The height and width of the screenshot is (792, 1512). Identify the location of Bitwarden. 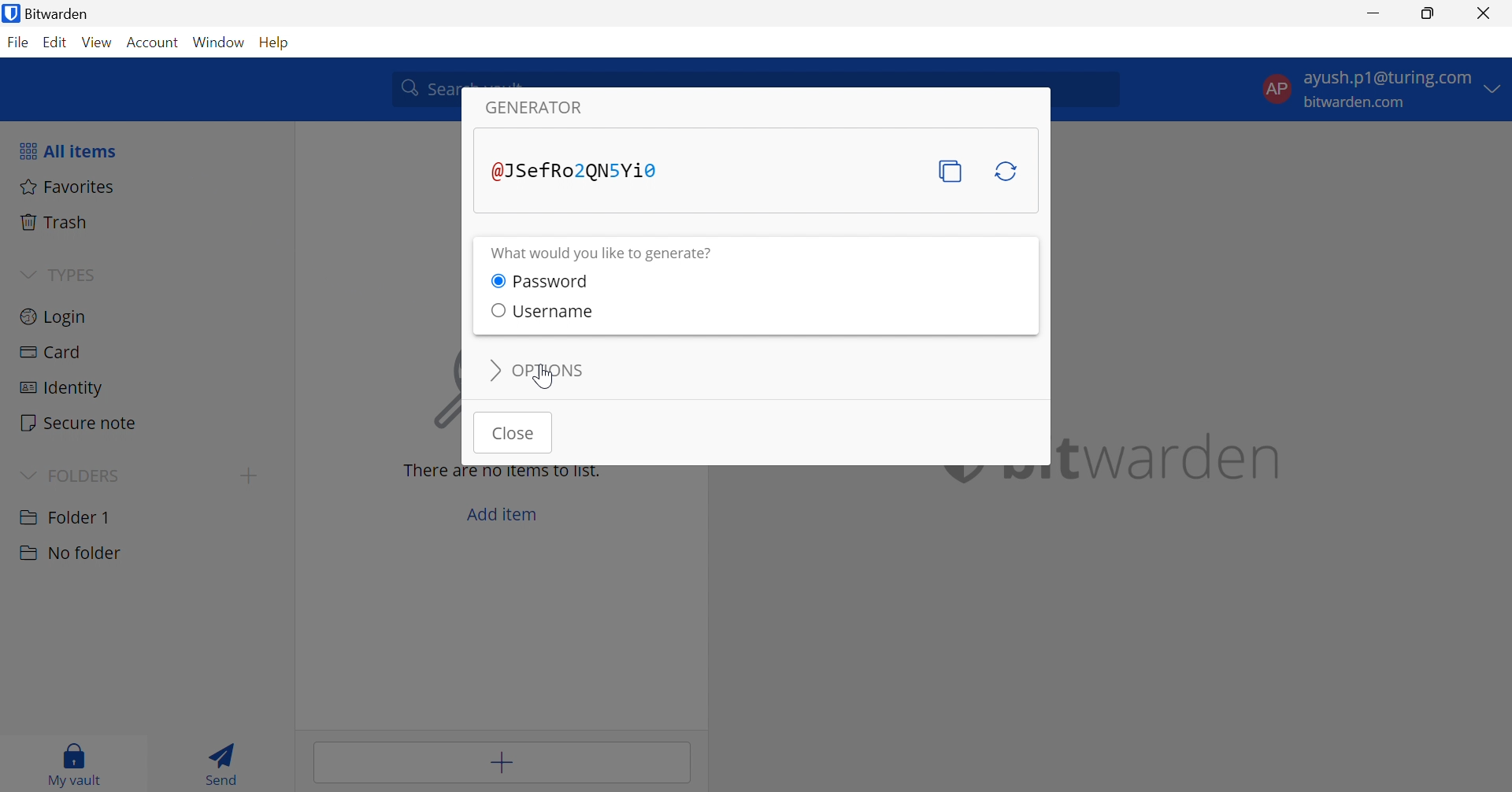
(50, 13).